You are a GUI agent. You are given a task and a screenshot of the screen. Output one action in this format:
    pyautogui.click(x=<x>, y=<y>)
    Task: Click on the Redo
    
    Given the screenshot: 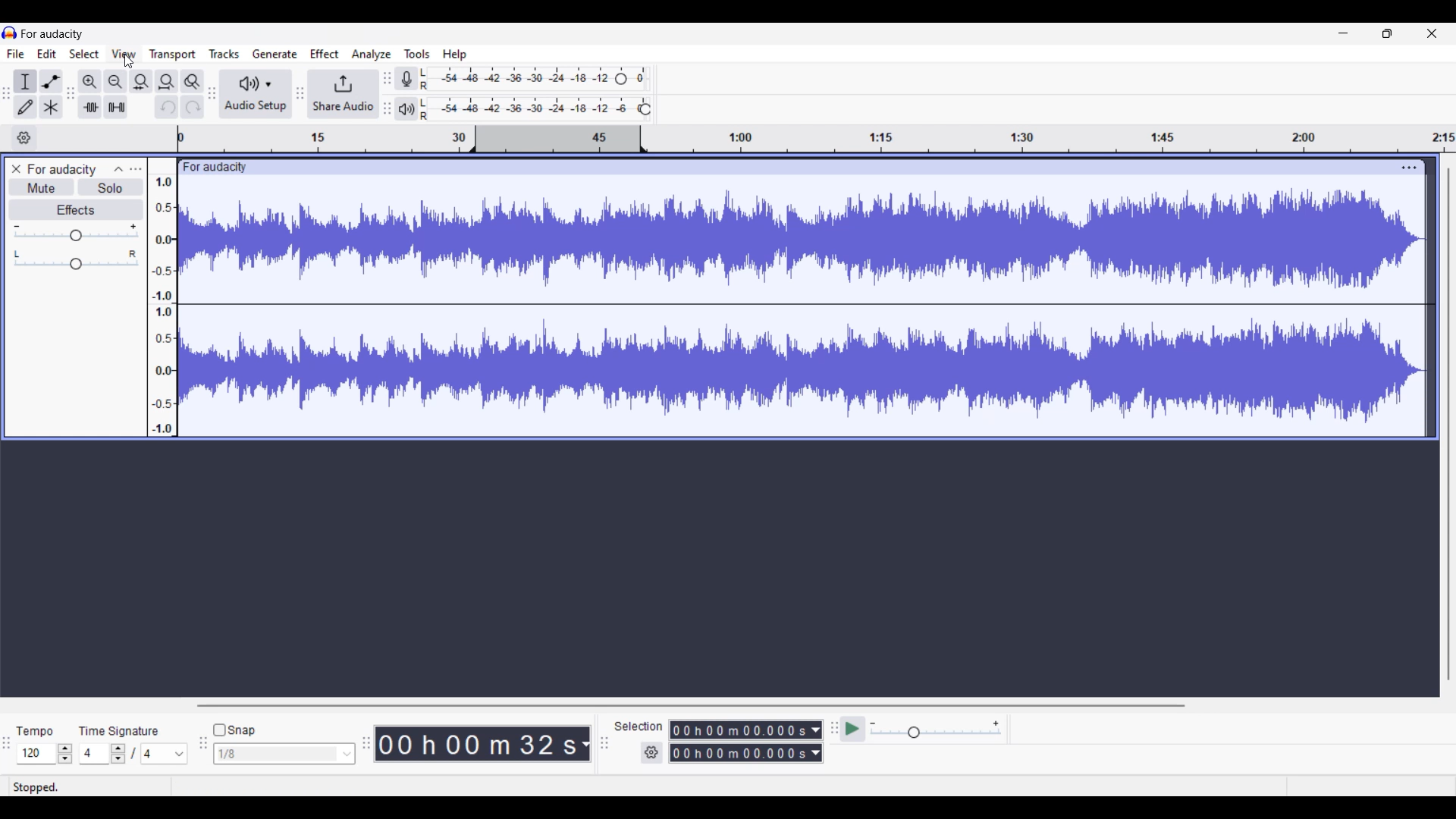 What is the action you would take?
    pyautogui.click(x=192, y=107)
    